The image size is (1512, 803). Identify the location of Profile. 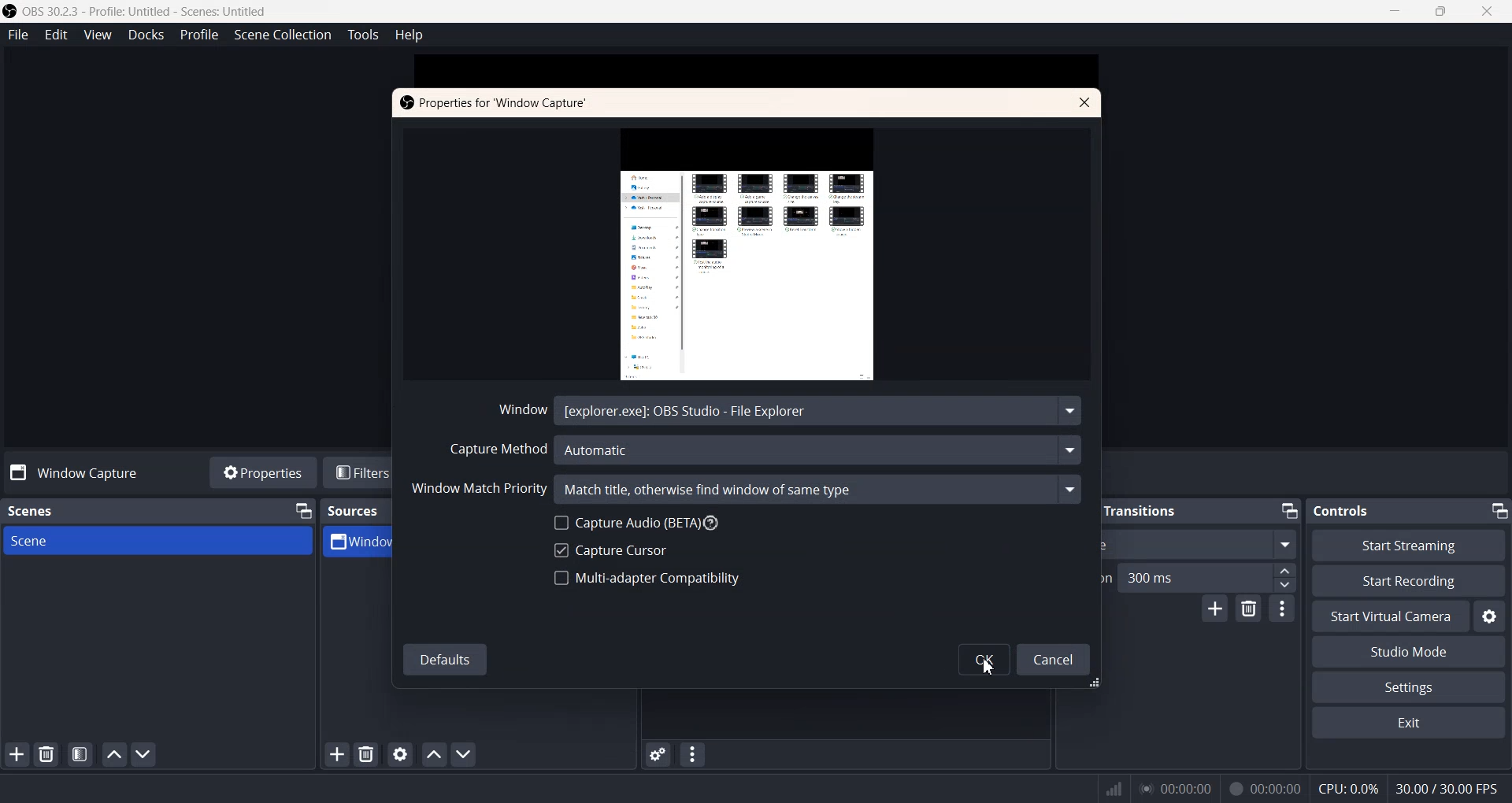
(199, 34).